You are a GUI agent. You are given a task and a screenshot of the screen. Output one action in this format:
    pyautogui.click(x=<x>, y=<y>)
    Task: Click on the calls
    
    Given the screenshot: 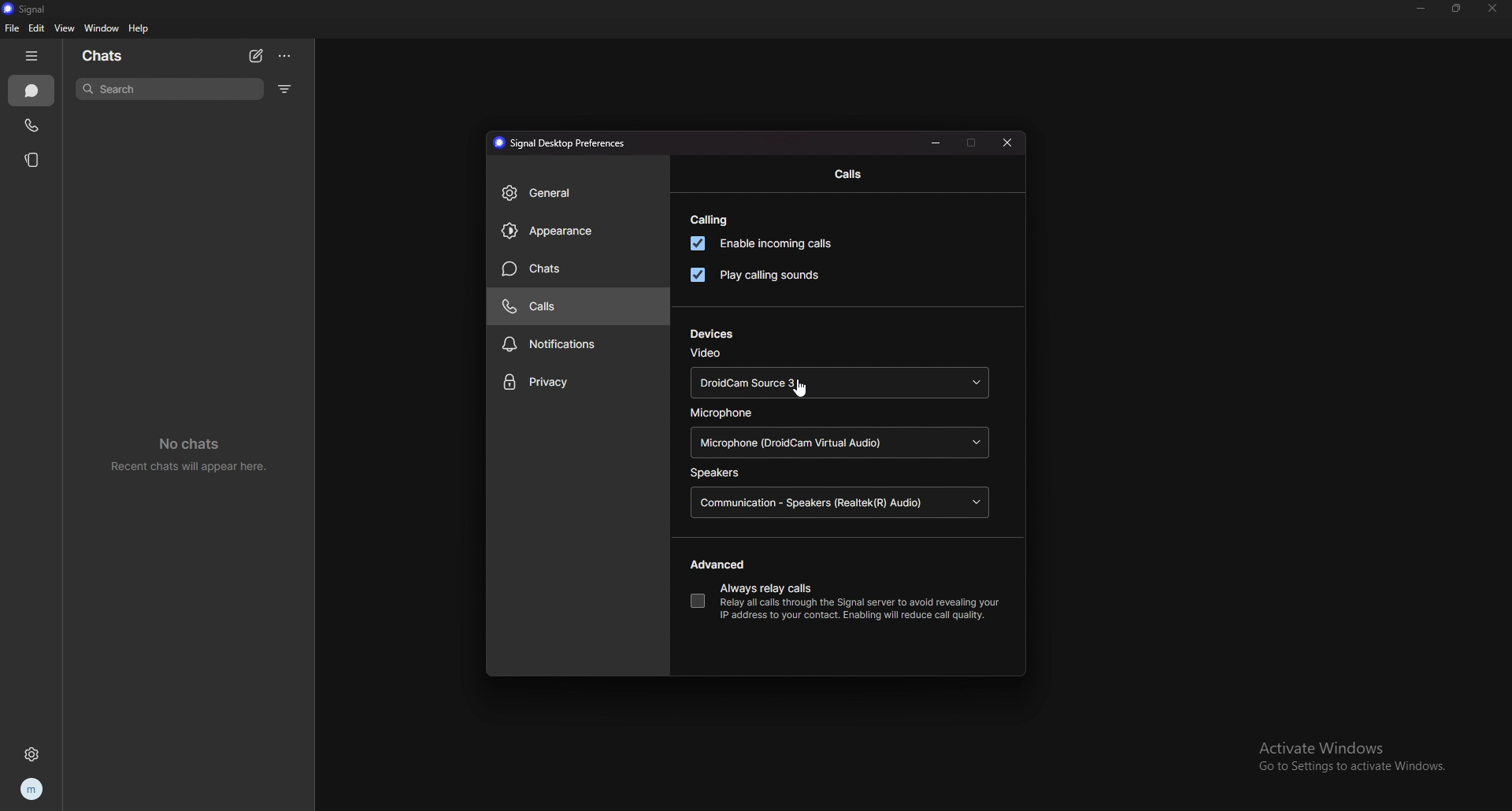 What is the action you would take?
    pyautogui.click(x=32, y=124)
    